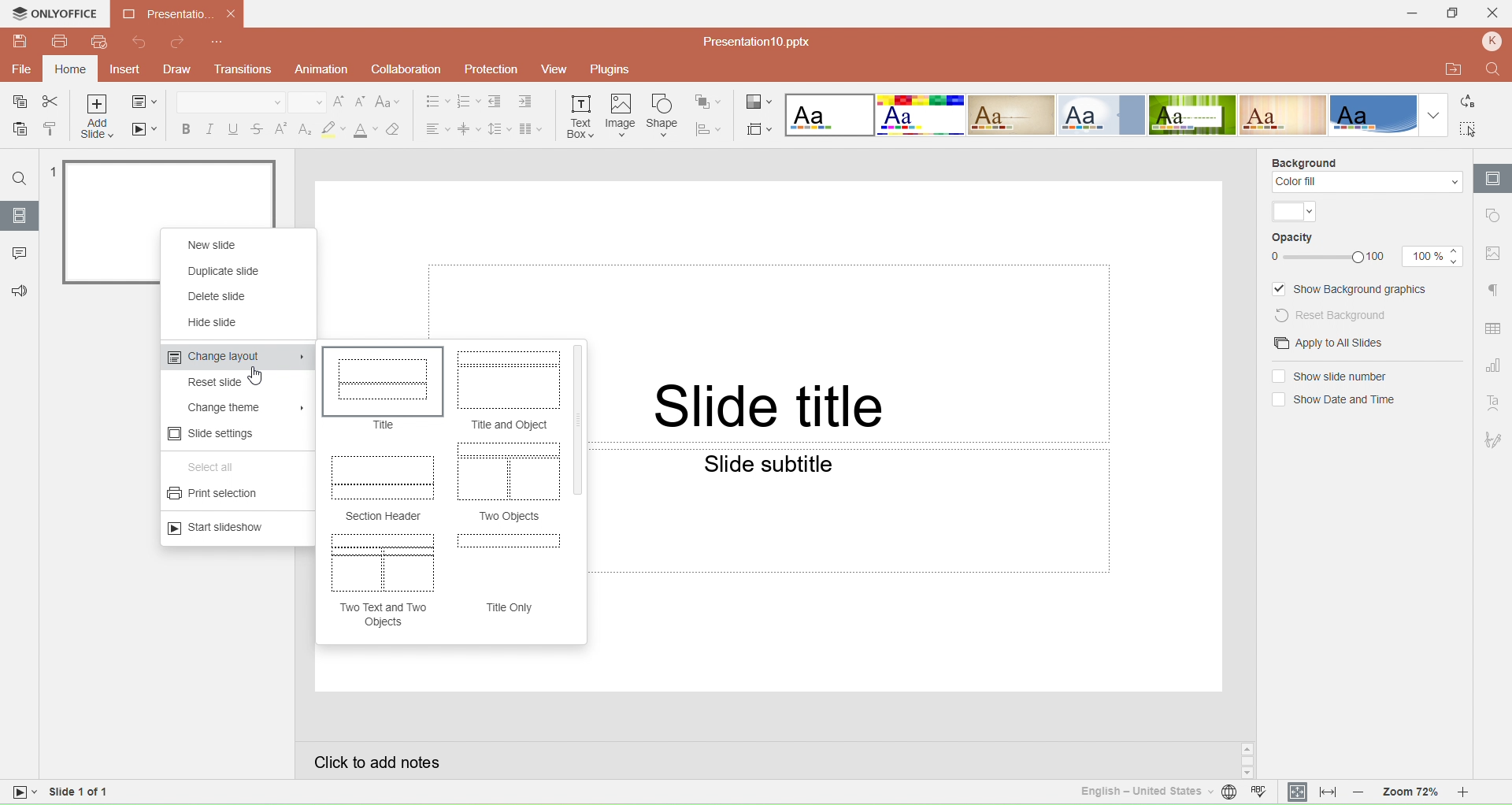 The width and height of the screenshot is (1512, 805). What do you see at coordinates (304, 102) in the screenshot?
I see `Font size` at bounding box center [304, 102].